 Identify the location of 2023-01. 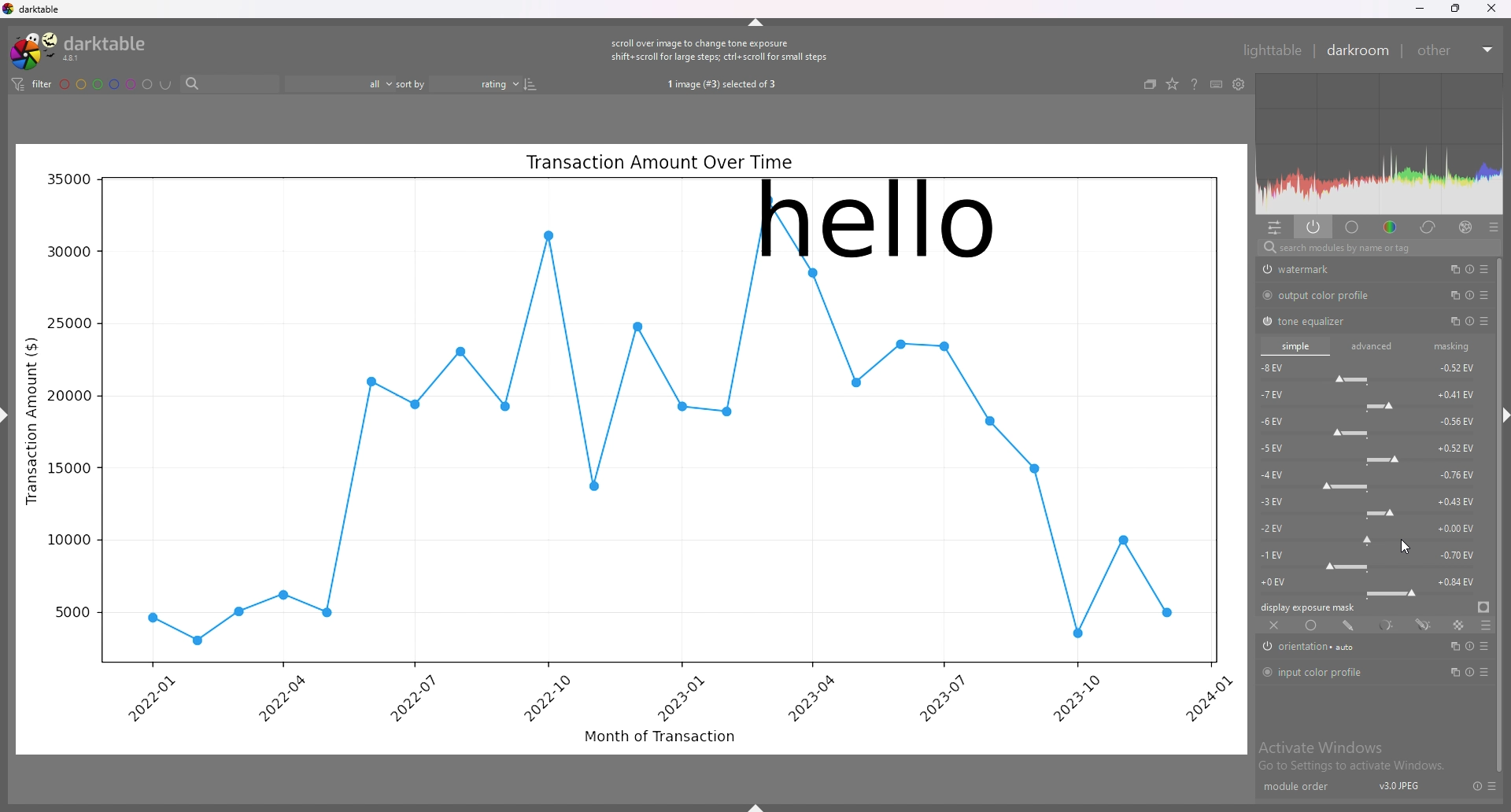
(679, 698).